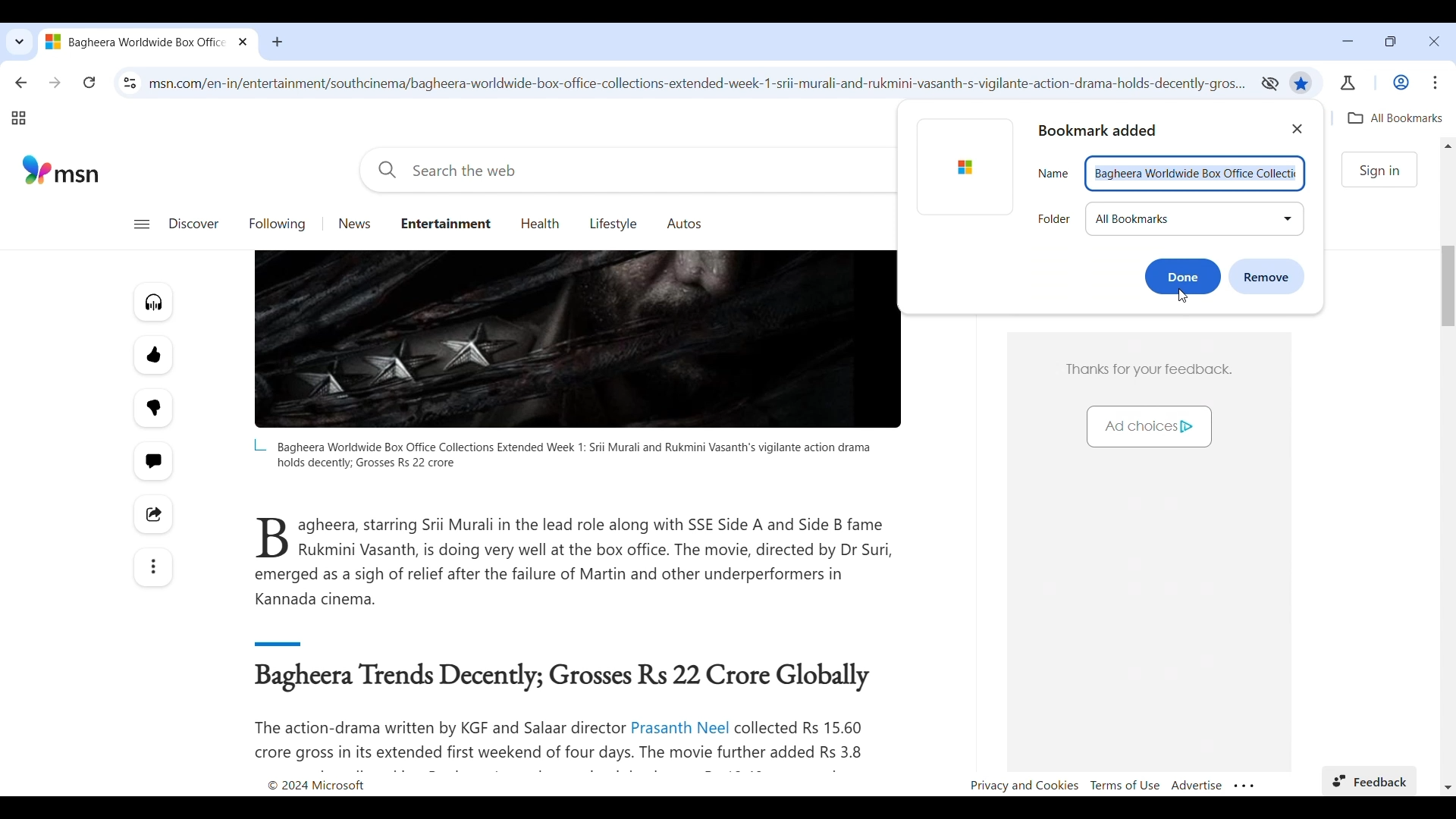 This screenshot has width=1456, height=819. I want to click on Cursor clicking on done, so click(1183, 297).